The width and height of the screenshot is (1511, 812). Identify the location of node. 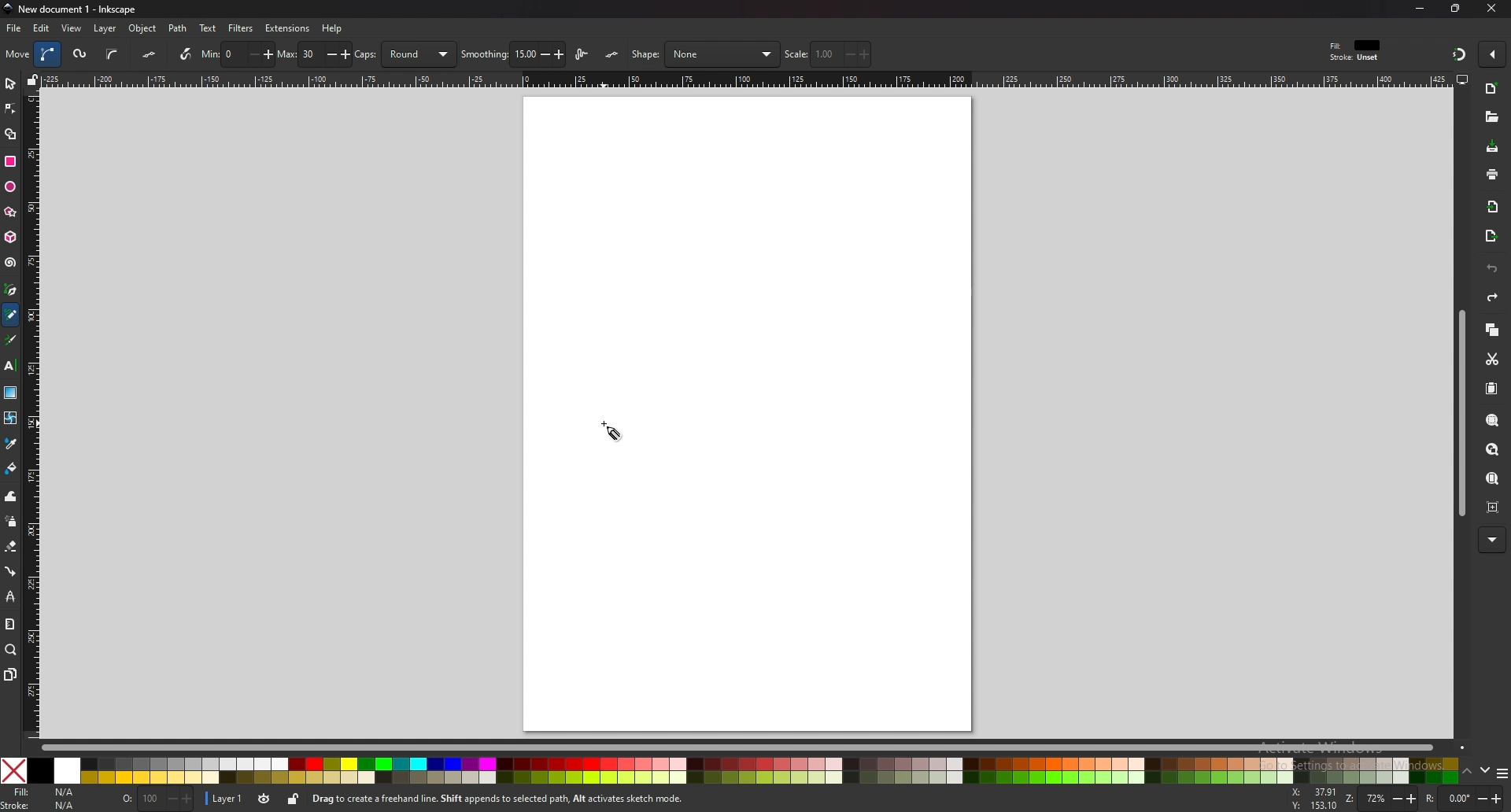
(12, 109).